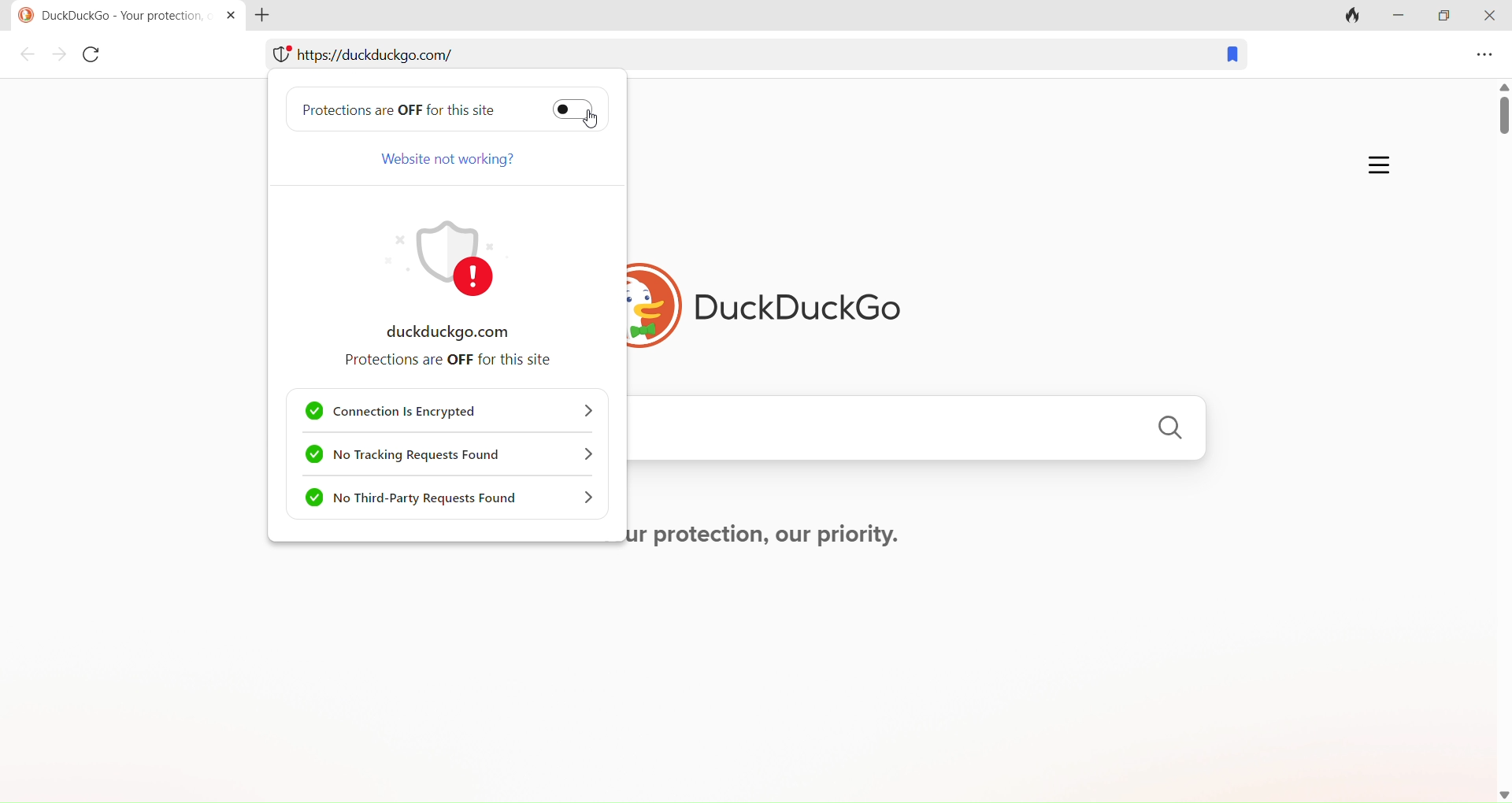 Image resolution: width=1512 pixels, height=803 pixels. What do you see at coordinates (1490, 430) in the screenshot?
I see `scroll bar` at bounding box center [1490, 430].